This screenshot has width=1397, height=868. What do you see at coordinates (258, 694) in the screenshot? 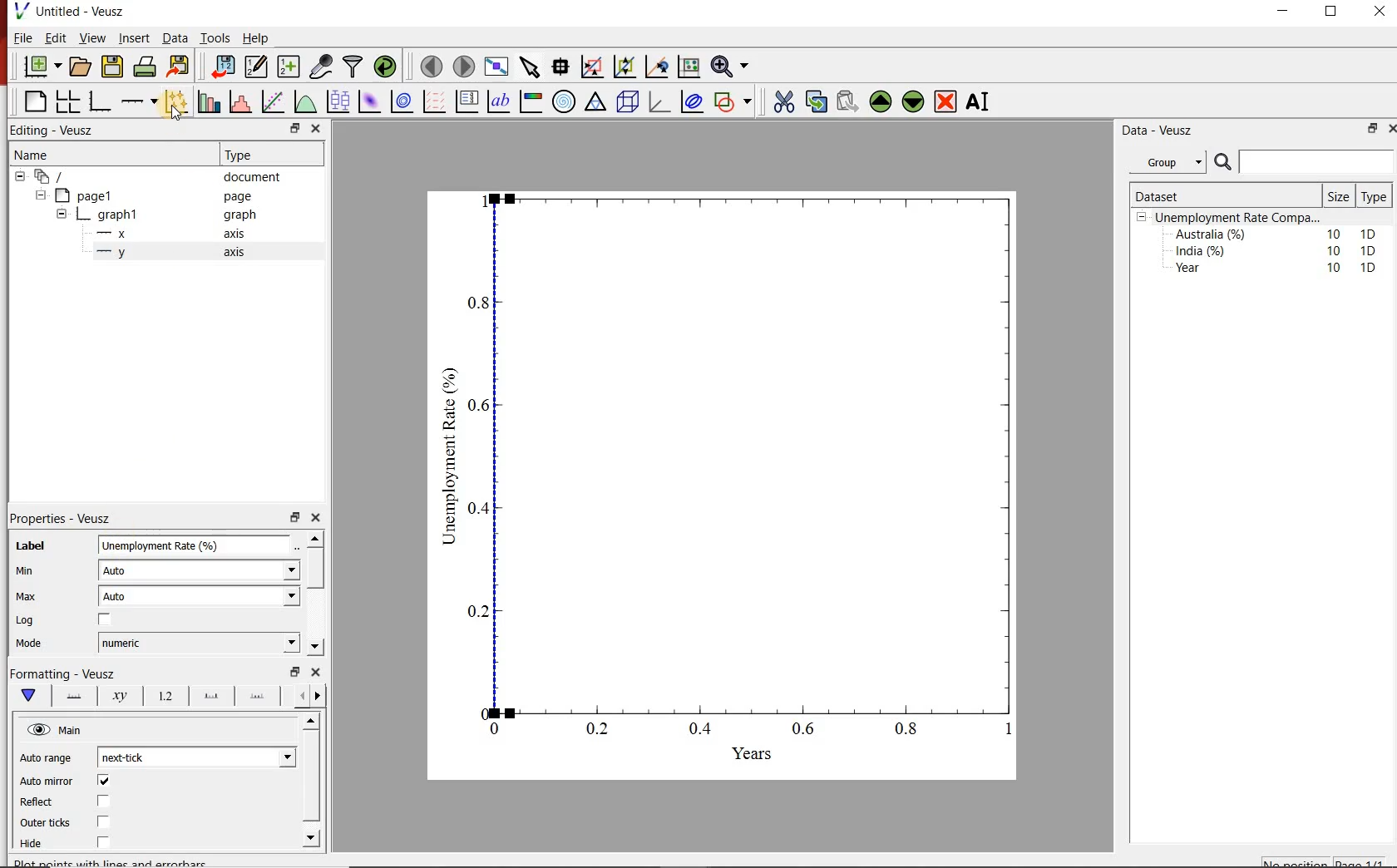
I see `minor ticks` at bounding box center [258, 694].